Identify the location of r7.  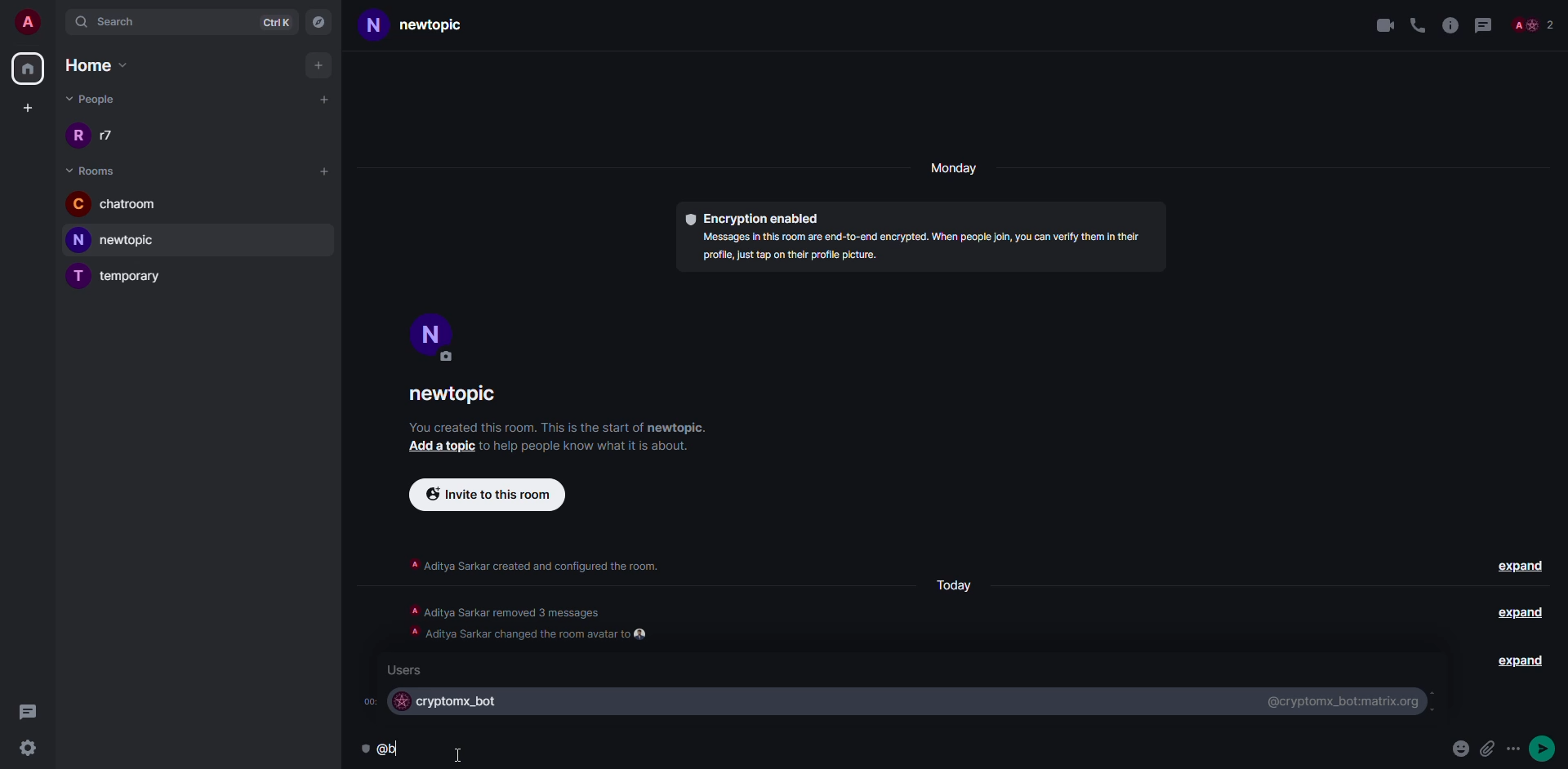
(99, 137).